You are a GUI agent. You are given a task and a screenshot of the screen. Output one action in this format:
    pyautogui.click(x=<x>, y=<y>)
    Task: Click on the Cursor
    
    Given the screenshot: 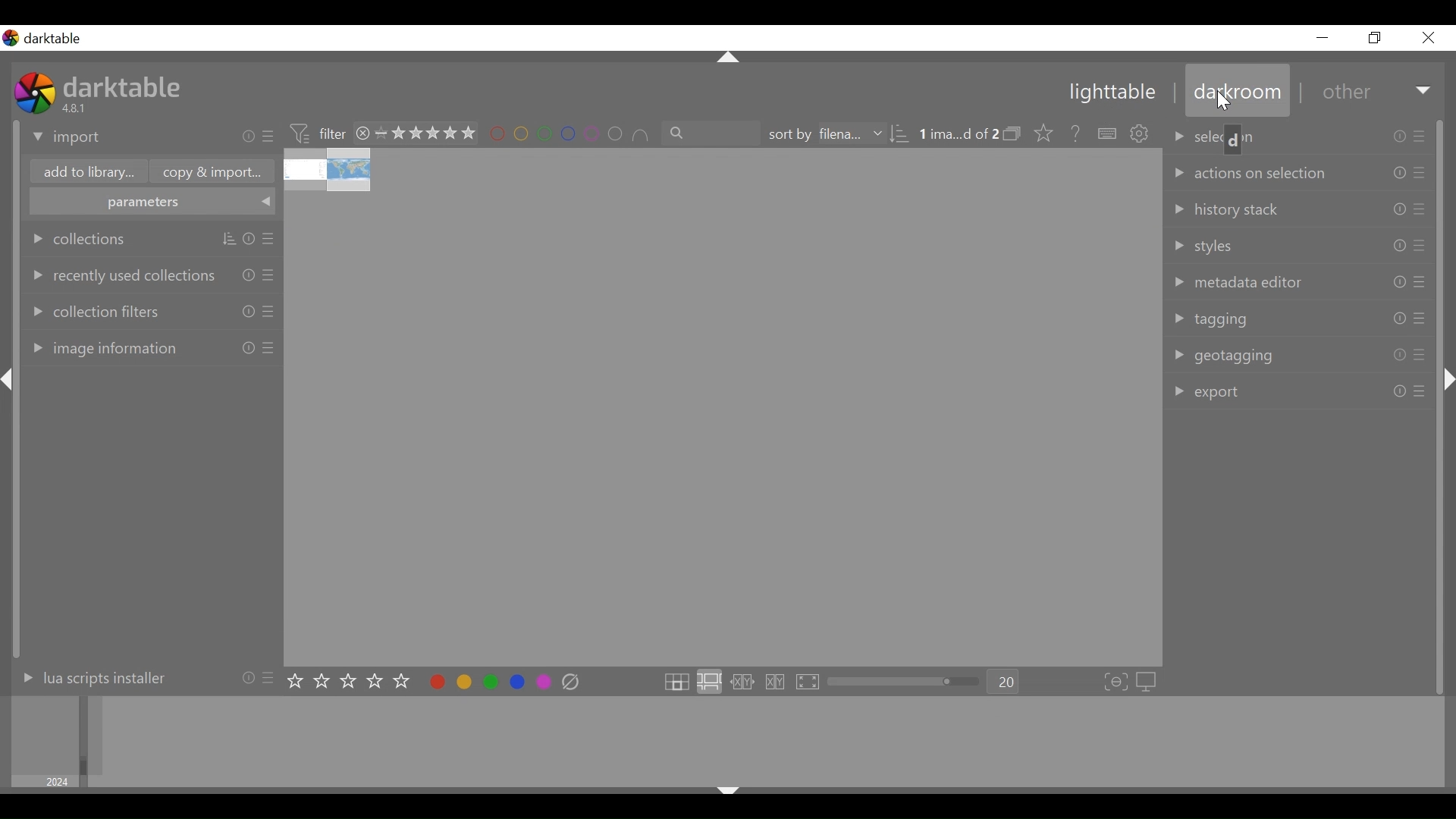 What is the action you would take?
    pyautogui.click(x=1226, y=104)
    